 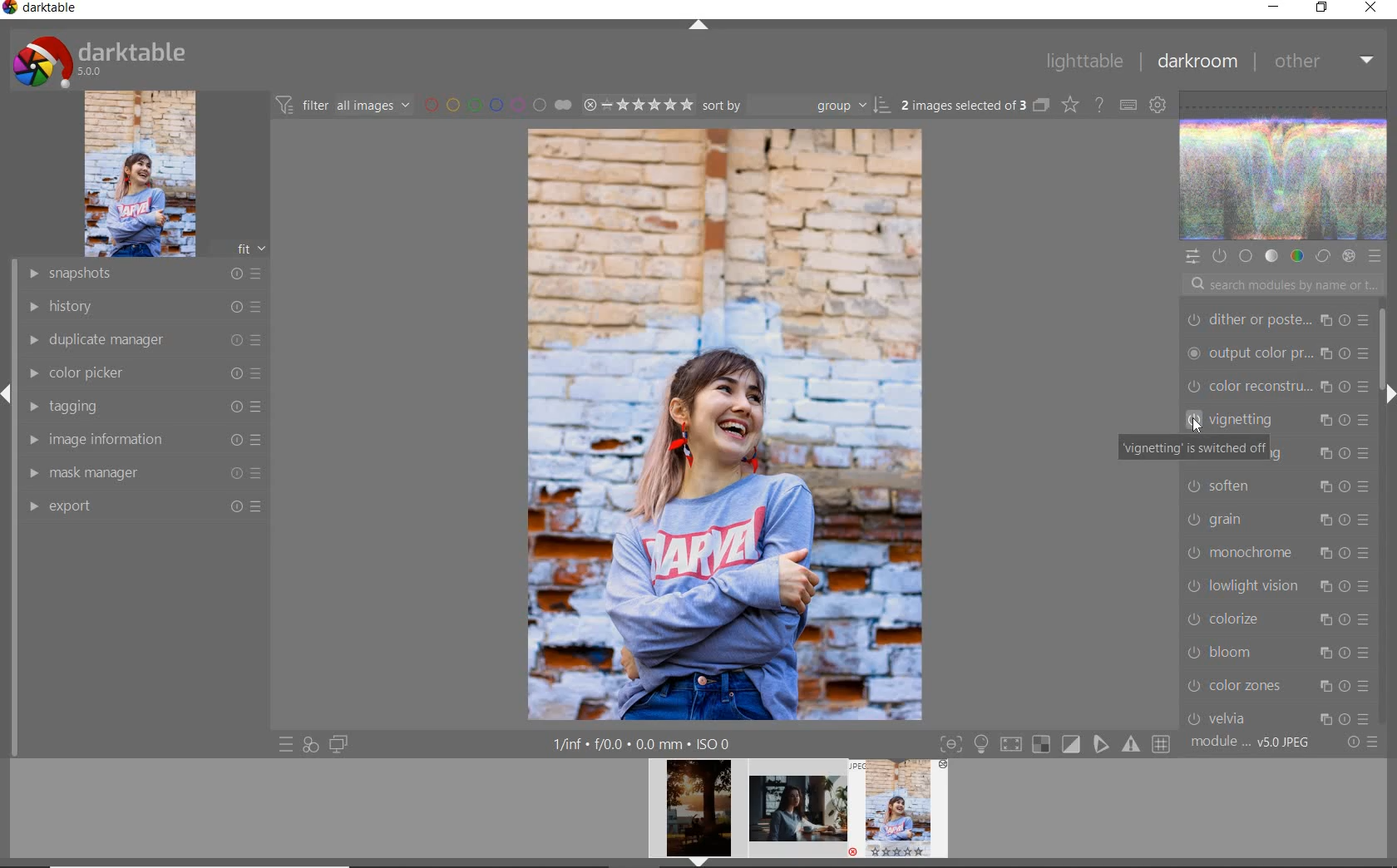 What do you see at coordinates (644, 744) in the screenshot?
I see `other interface detal` at bounding box center [644, 744].